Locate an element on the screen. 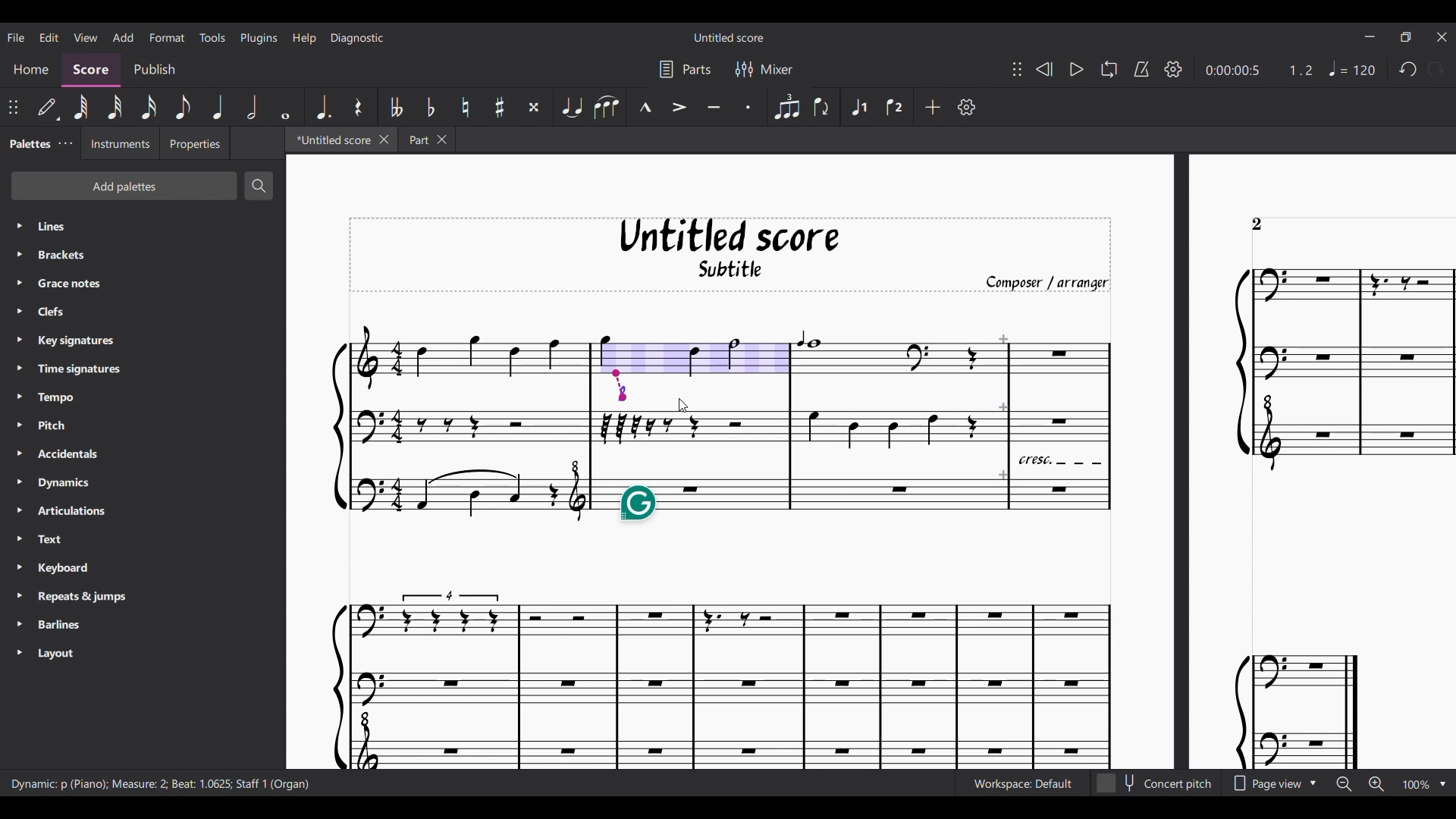  Grammarly extension is located at coordinates (638, 504).